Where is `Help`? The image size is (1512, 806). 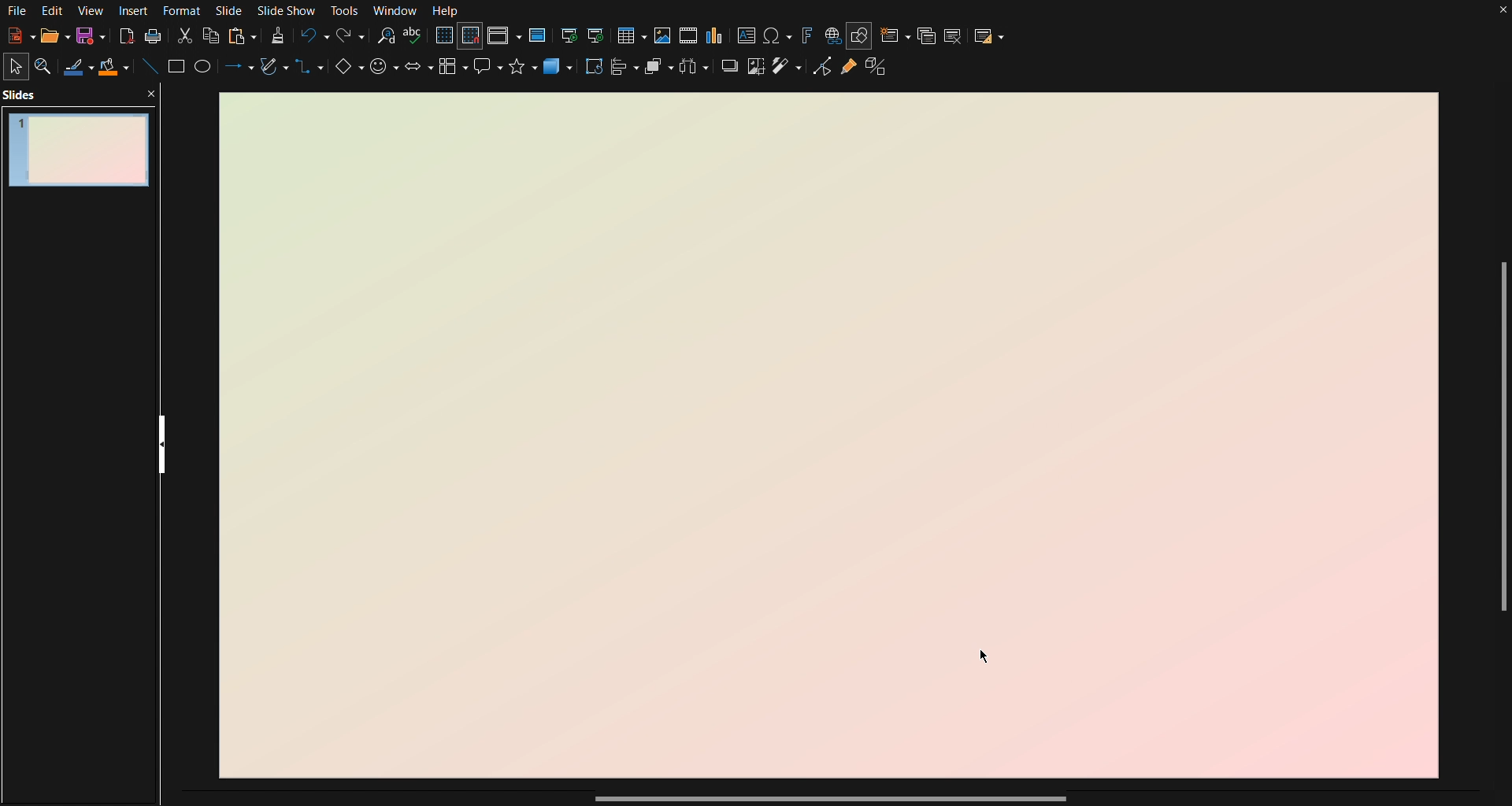 Help is located at coordinates (447, 11).